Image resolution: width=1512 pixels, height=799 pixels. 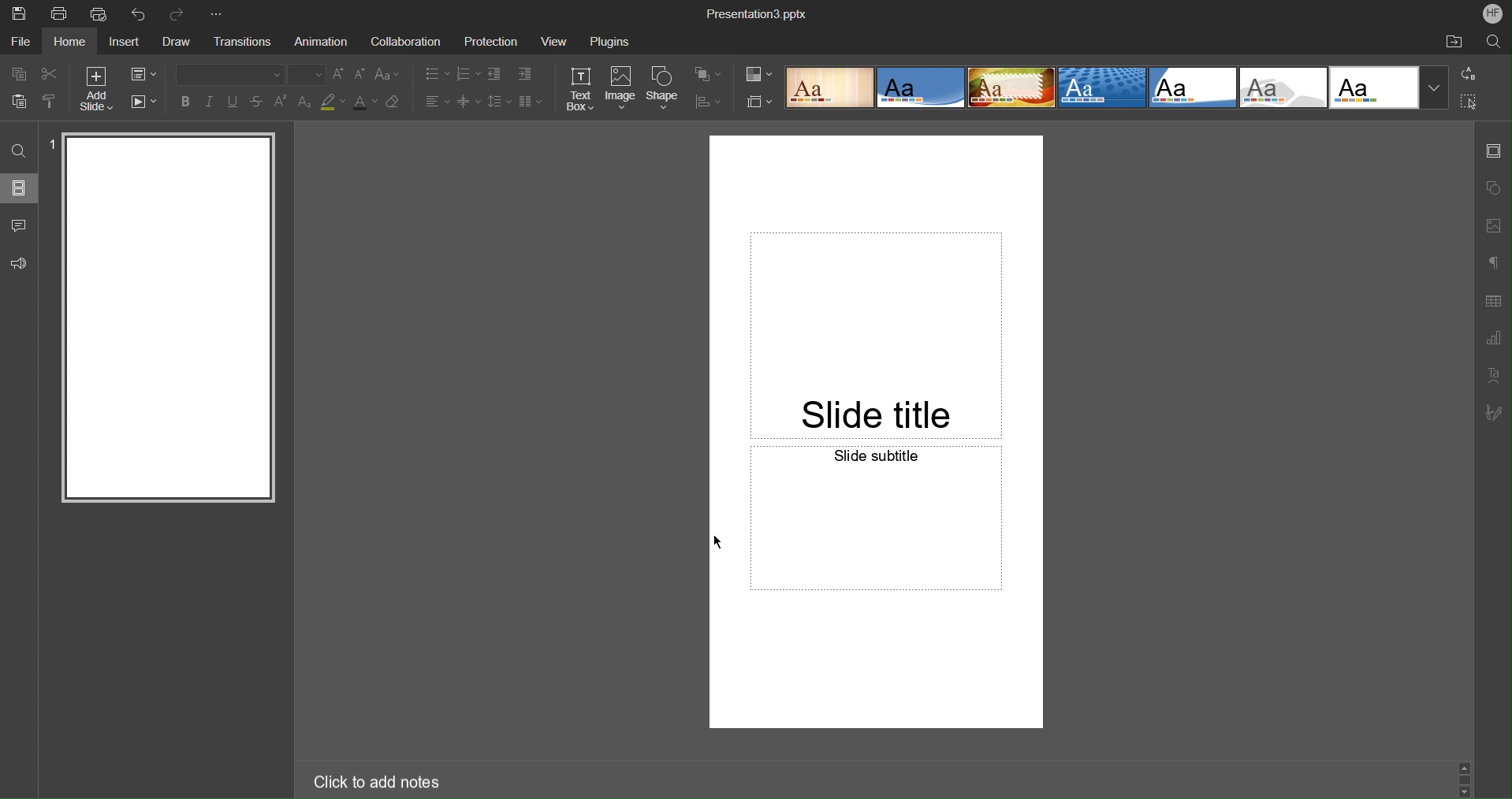 What do you see at coordinates (94, 88) in the screenshot?
I see `Add Slide` at bounding box center [94, 88].